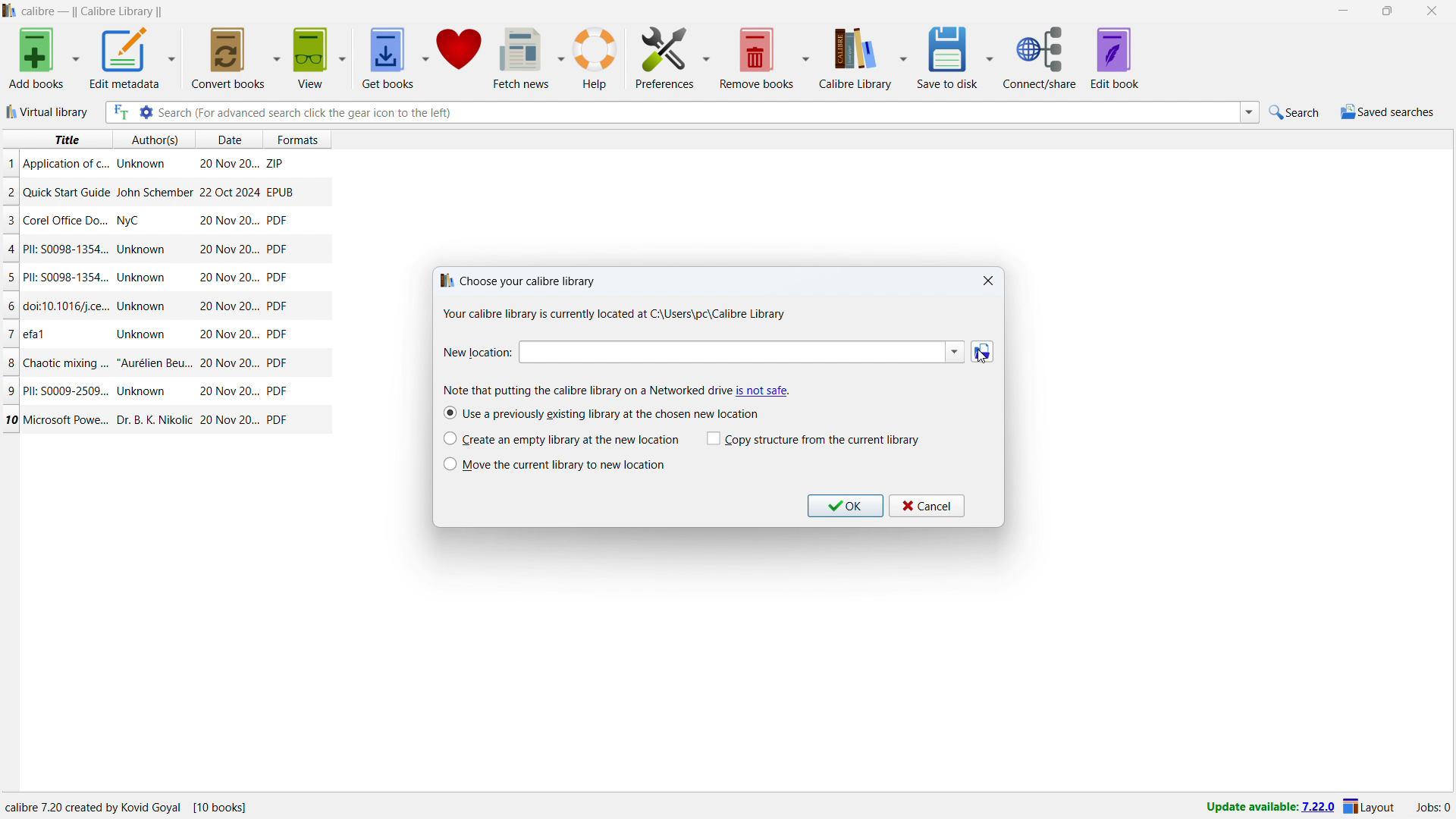 The height and width of the screenshot is (819, 1456). I want to click on Author, so click(131, 222).